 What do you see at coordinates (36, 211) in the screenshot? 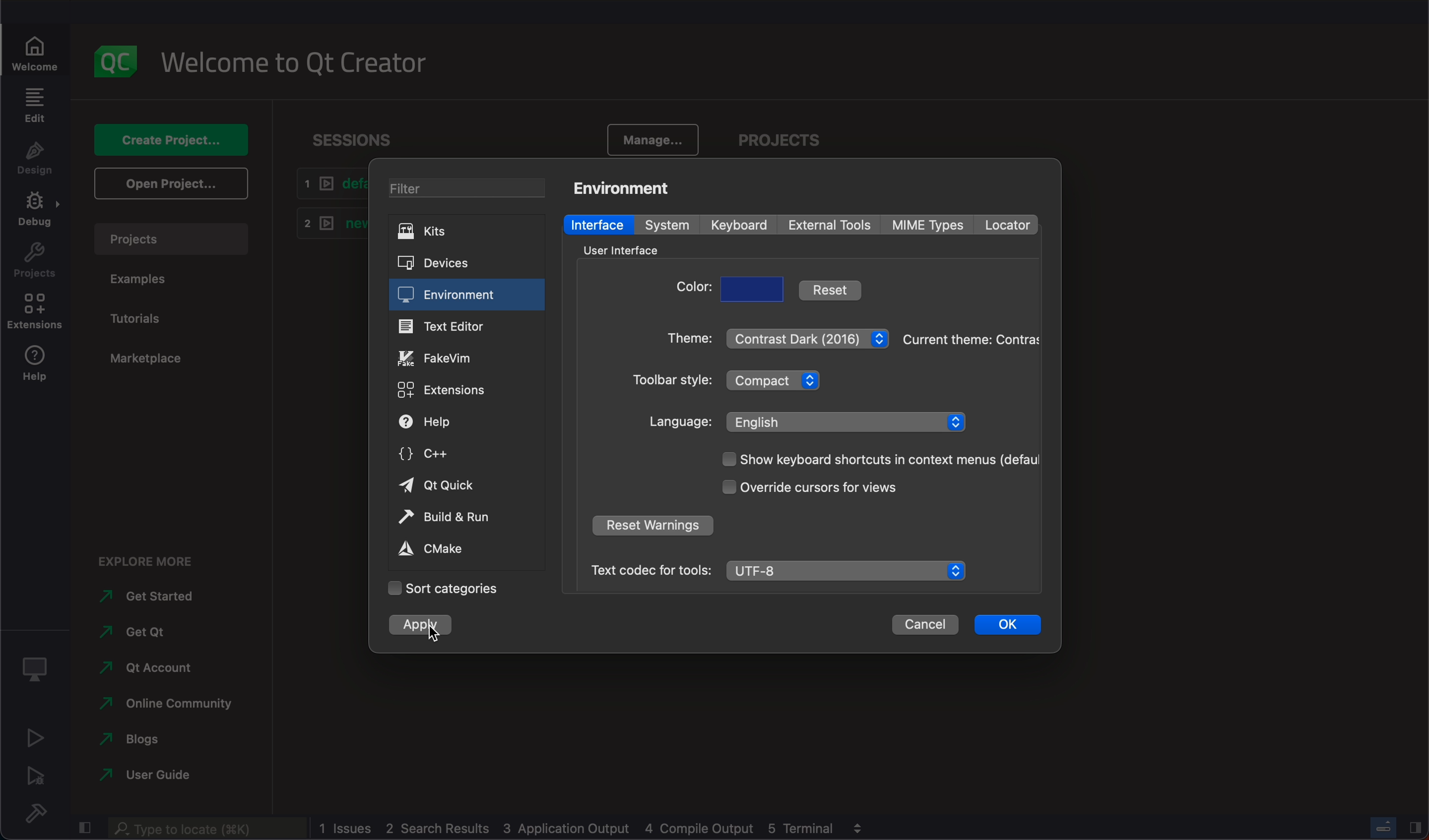
I see `debug` at bounding box center [36, 211].